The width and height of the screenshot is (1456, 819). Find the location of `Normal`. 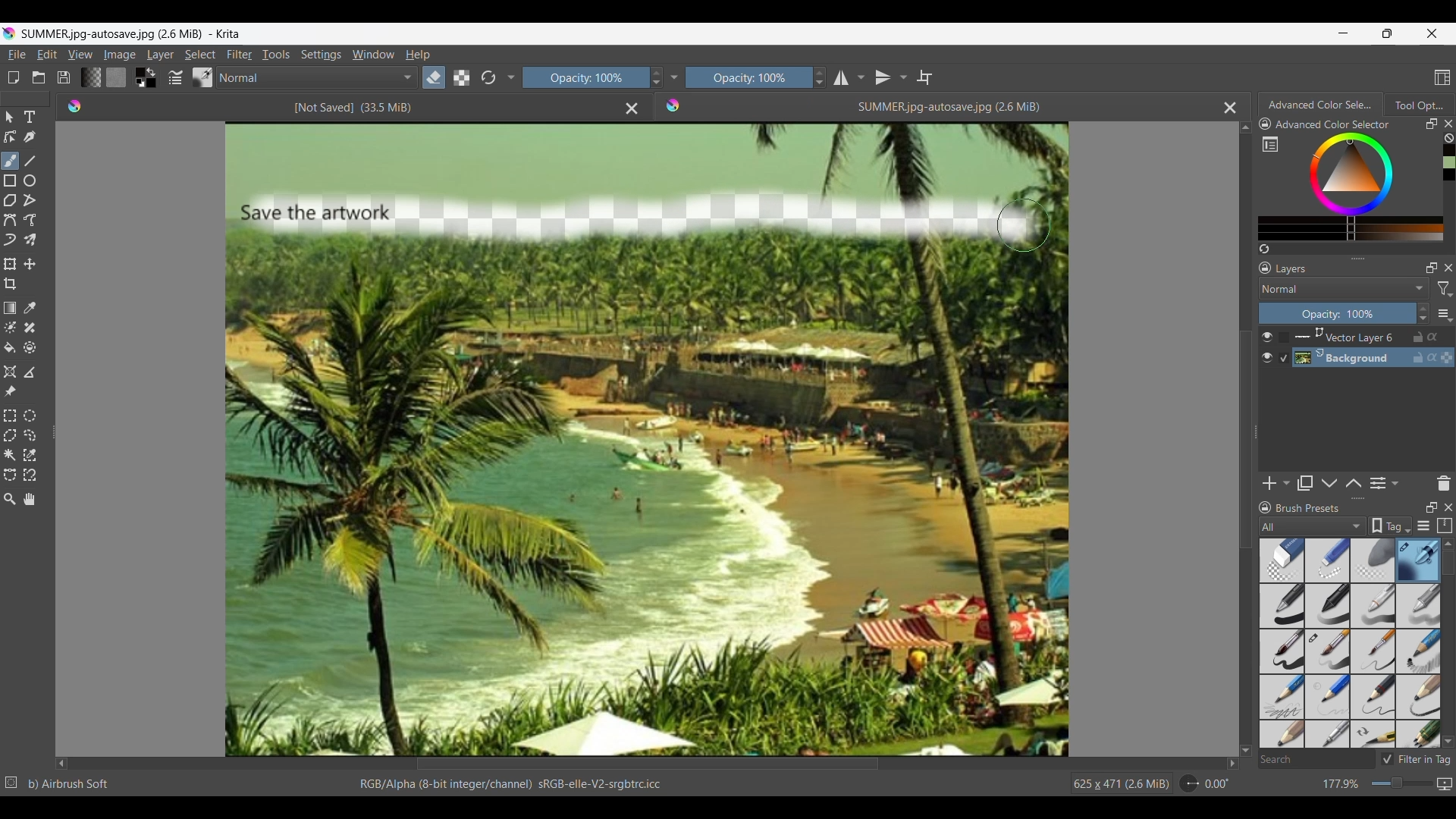

Normal is located at coordinates (317, 77).